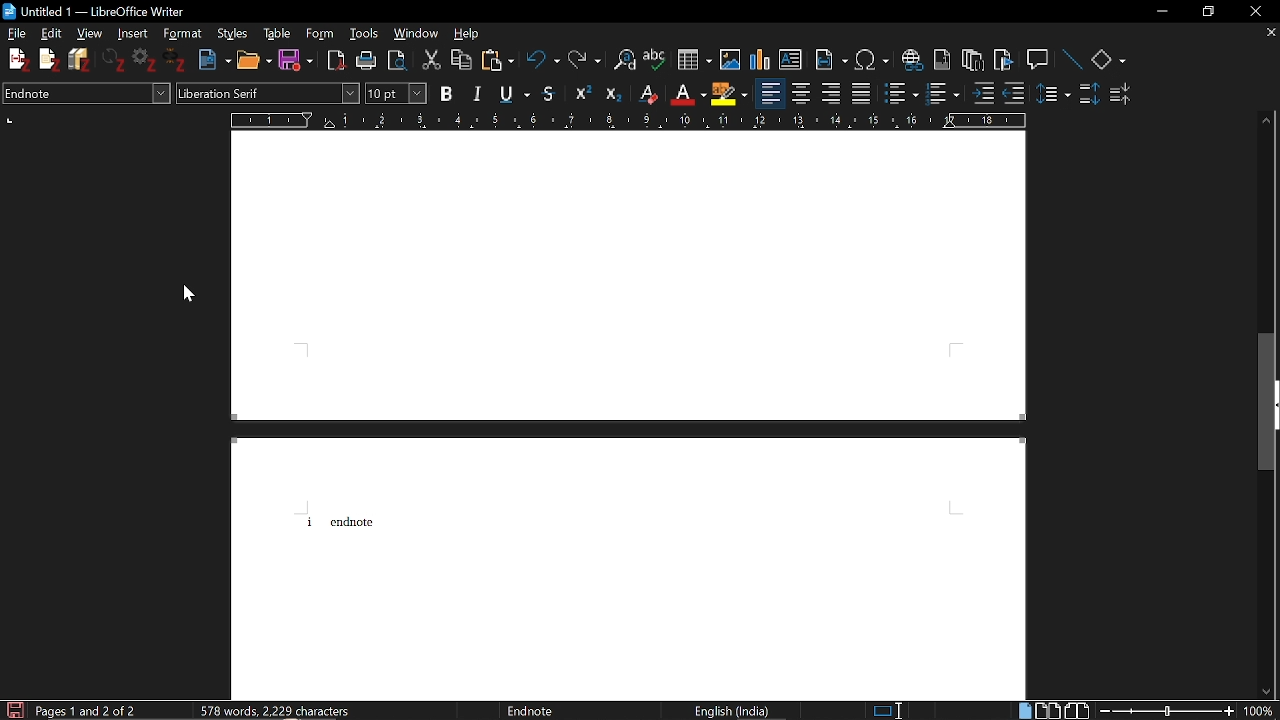 Image resolution: width=1280 pixels, height=720 pixels. I want to click on Superscript, so click(582, 94).